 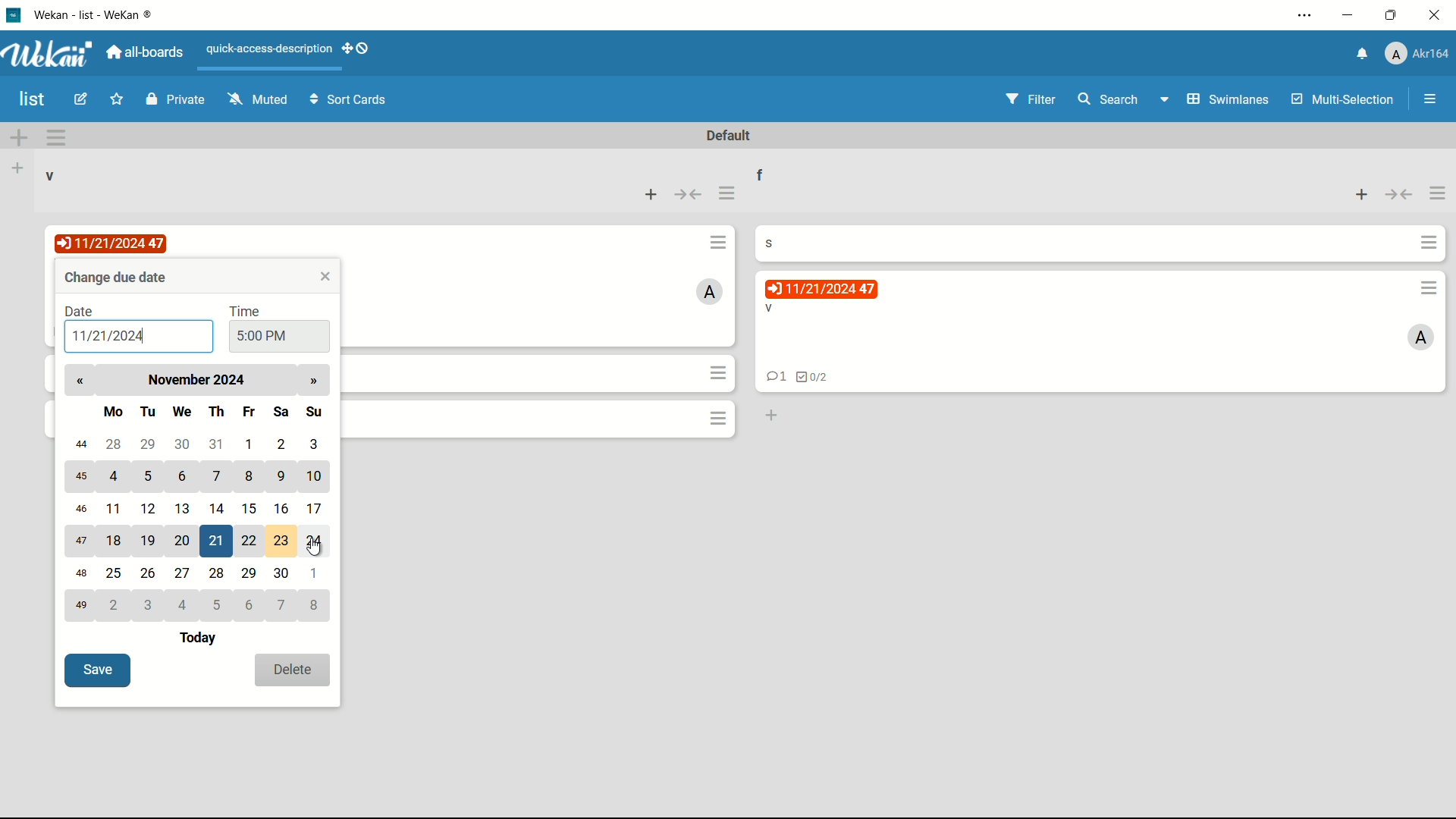 What do you see at coordinates (80, 508) in the screenshot?
I see `46` at bounding box center [80, 508].